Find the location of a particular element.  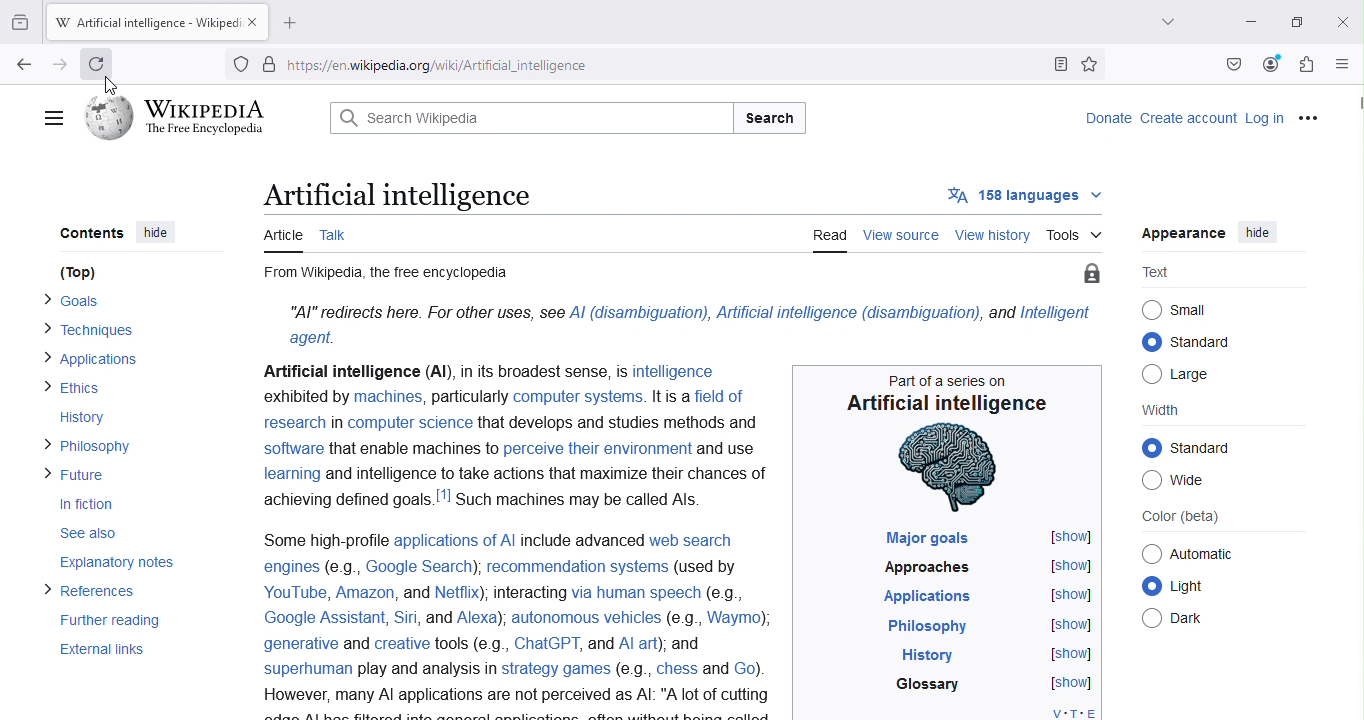

Amazon, is located at coordinates (361, 592).